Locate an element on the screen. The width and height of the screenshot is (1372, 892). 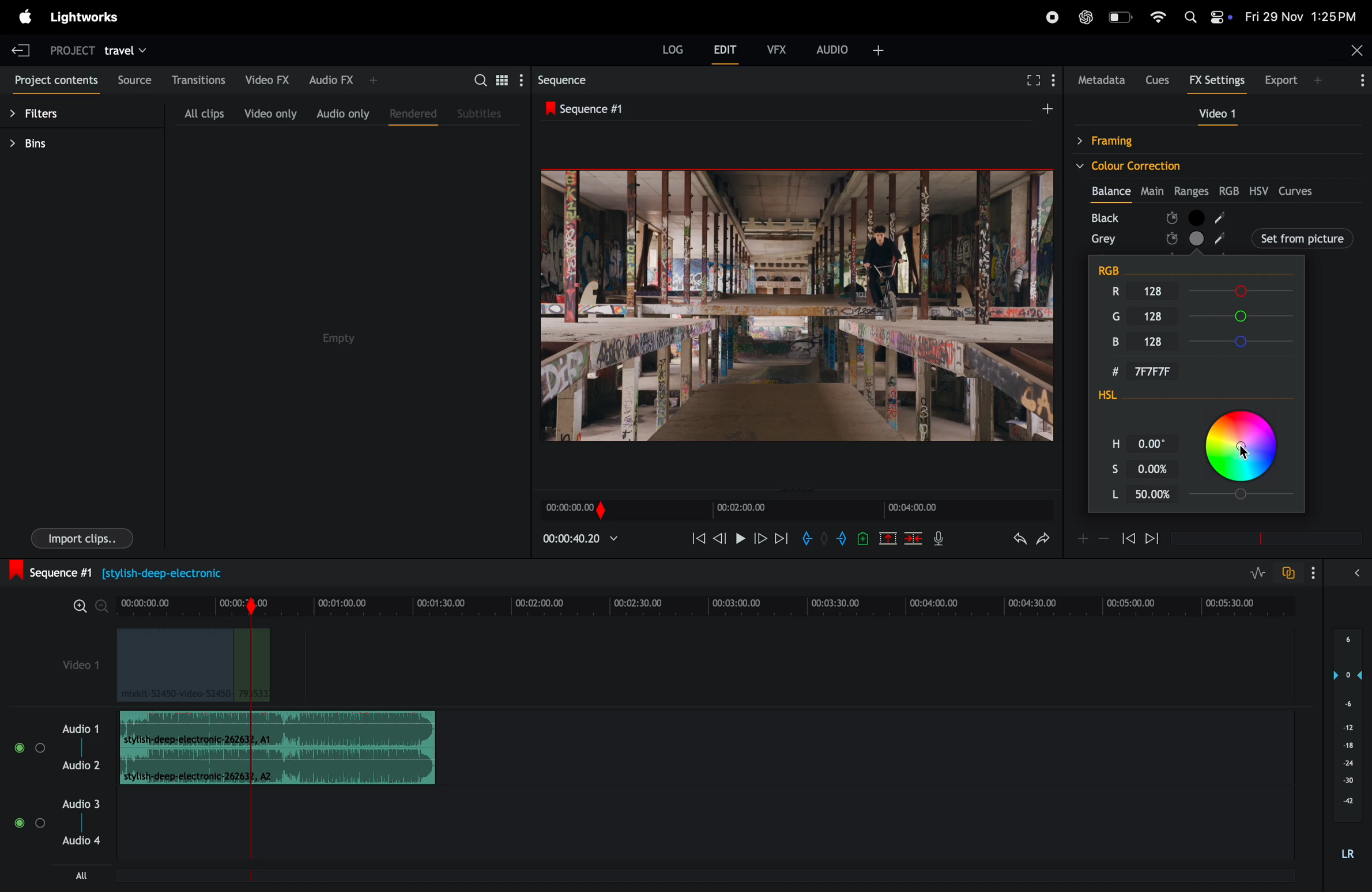
import clips is located at coordinates (82, 538).